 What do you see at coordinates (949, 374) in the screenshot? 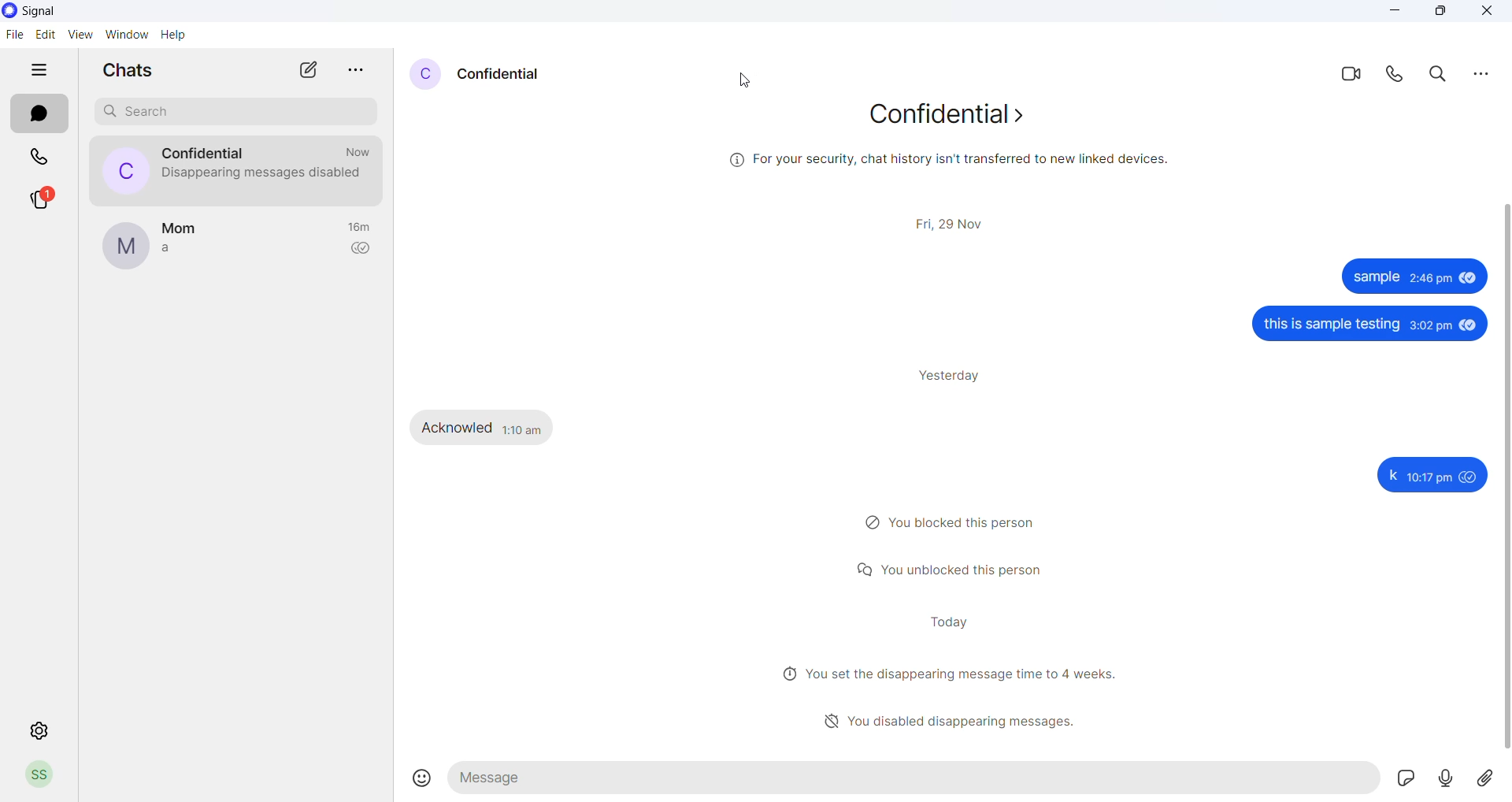
I see `` at bounding box center [949, 374].